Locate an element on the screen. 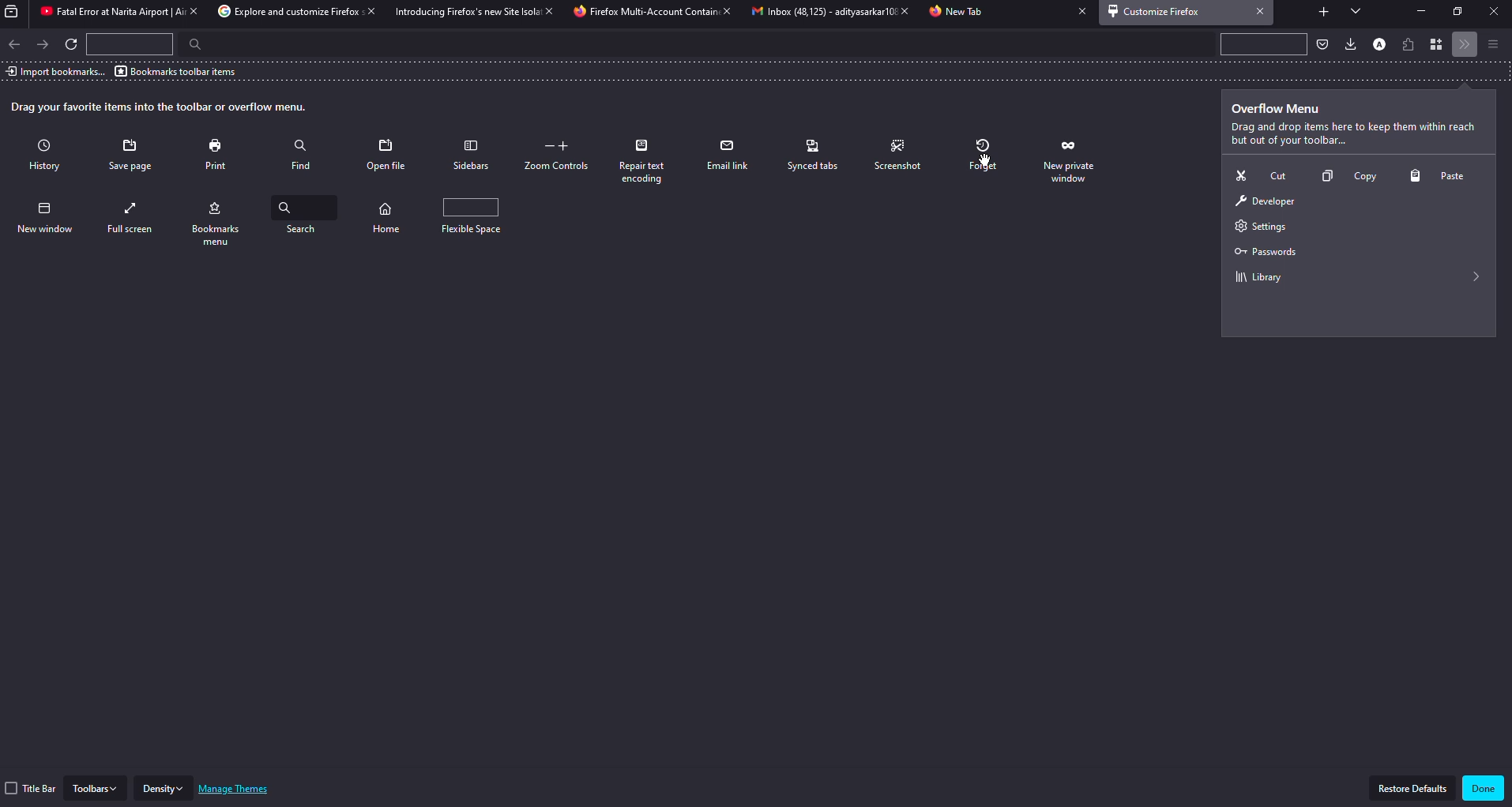  close is located at coordinates (367, 12).